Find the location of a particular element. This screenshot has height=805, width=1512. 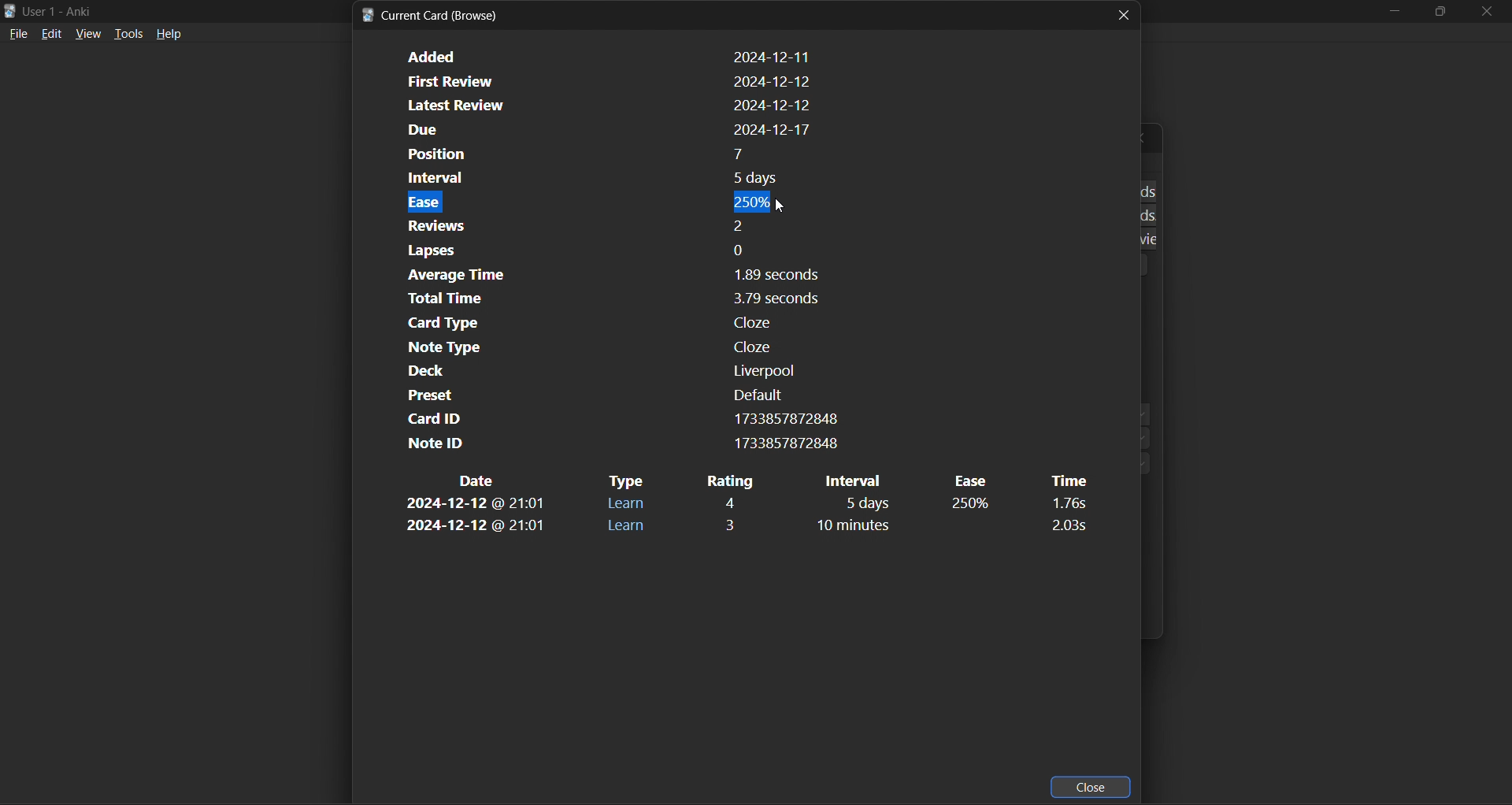

ease is located at coordinates (971, 505).